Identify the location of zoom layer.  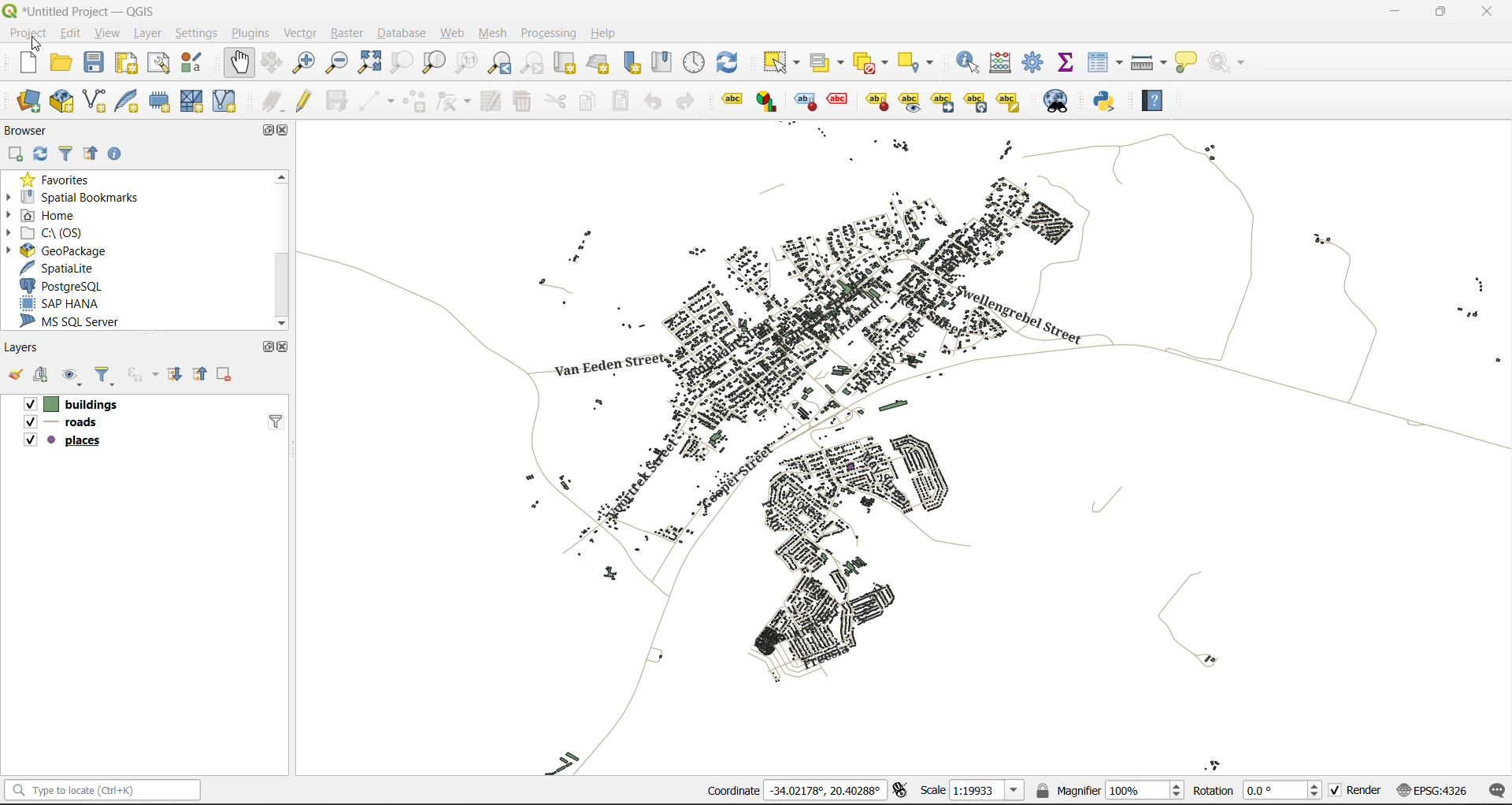
(435, 64).